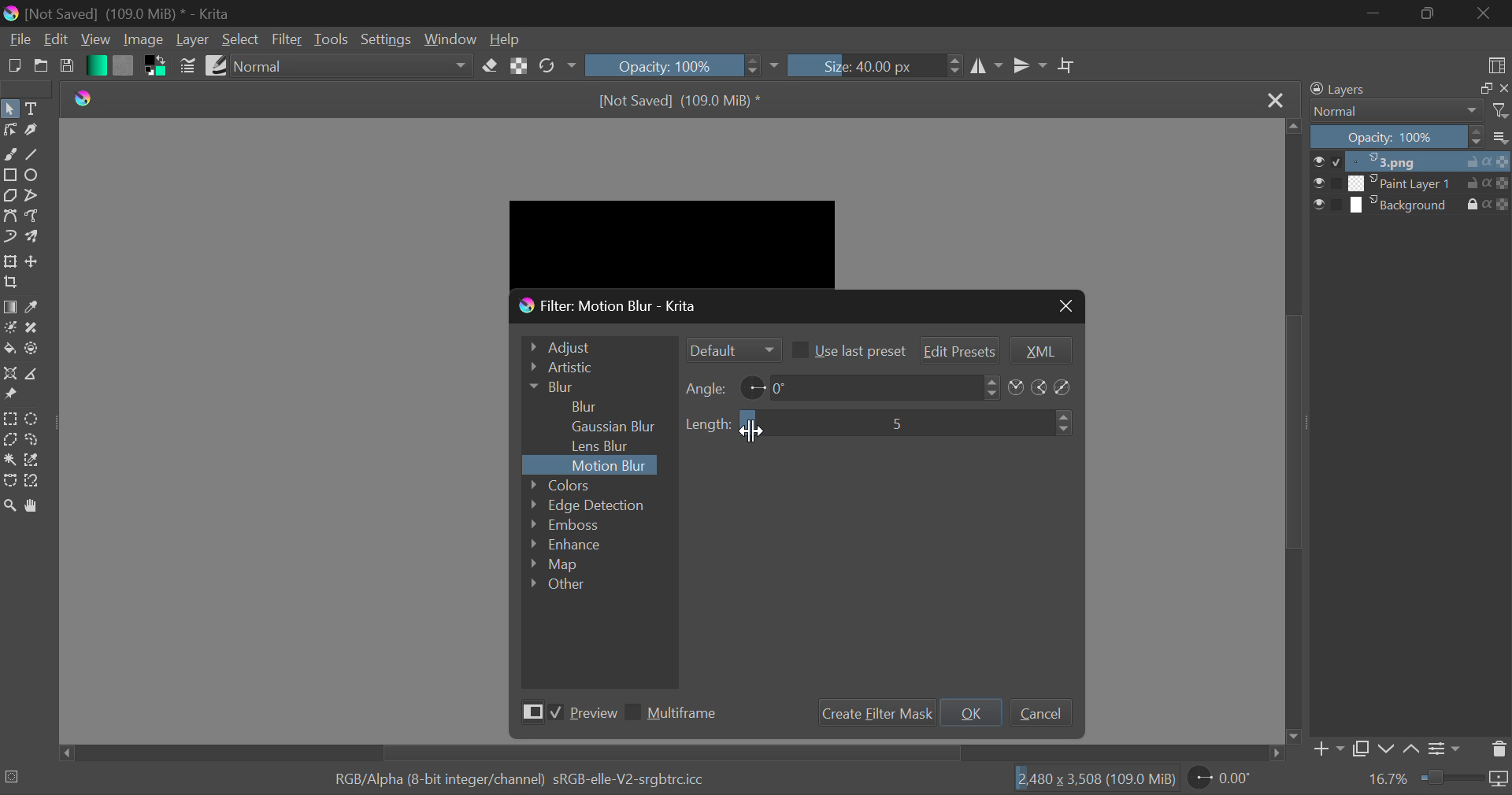 The image size is (1512, 795). Describe the element at coordinates (1413, 183) in the screenshot. I see `Paint Layer 1` at that location.